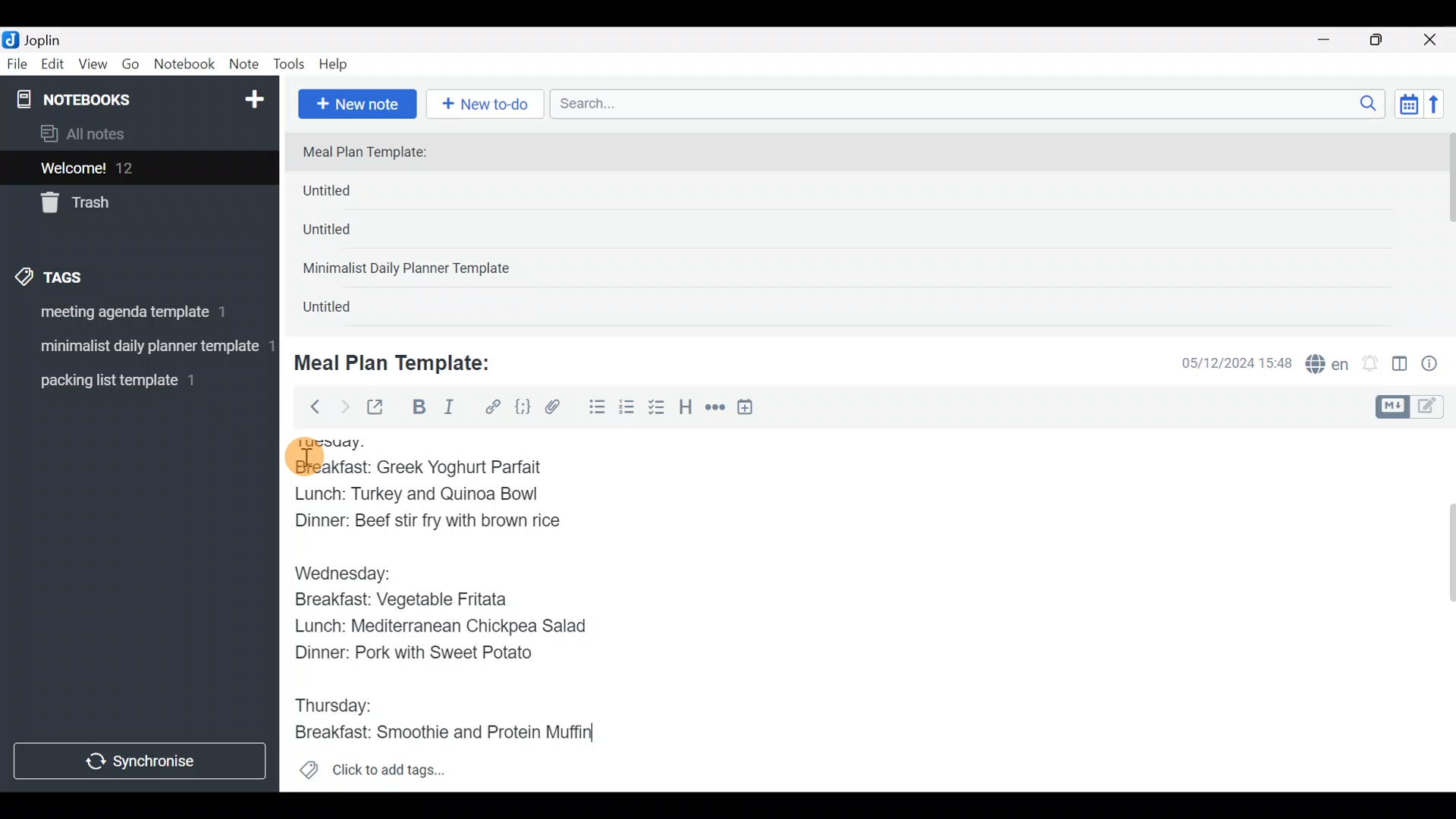 The height and width of the screenshot is (819, 1456). Describe the element at coordinates (347, 575) in the screenshot. I see `Wednesday:` at that location.